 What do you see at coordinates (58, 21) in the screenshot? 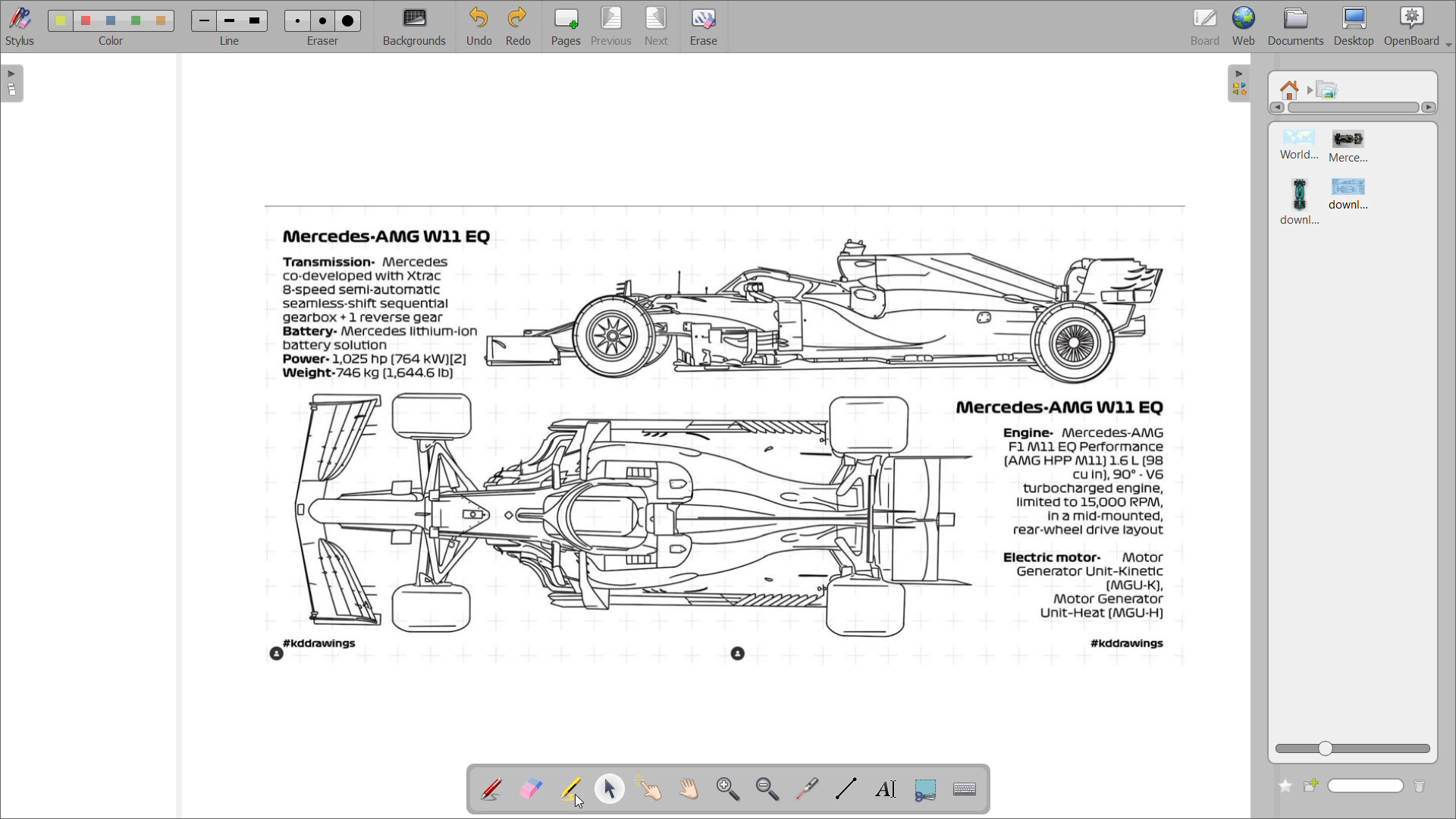
I see `color 1` at bounding box center [58, 21].